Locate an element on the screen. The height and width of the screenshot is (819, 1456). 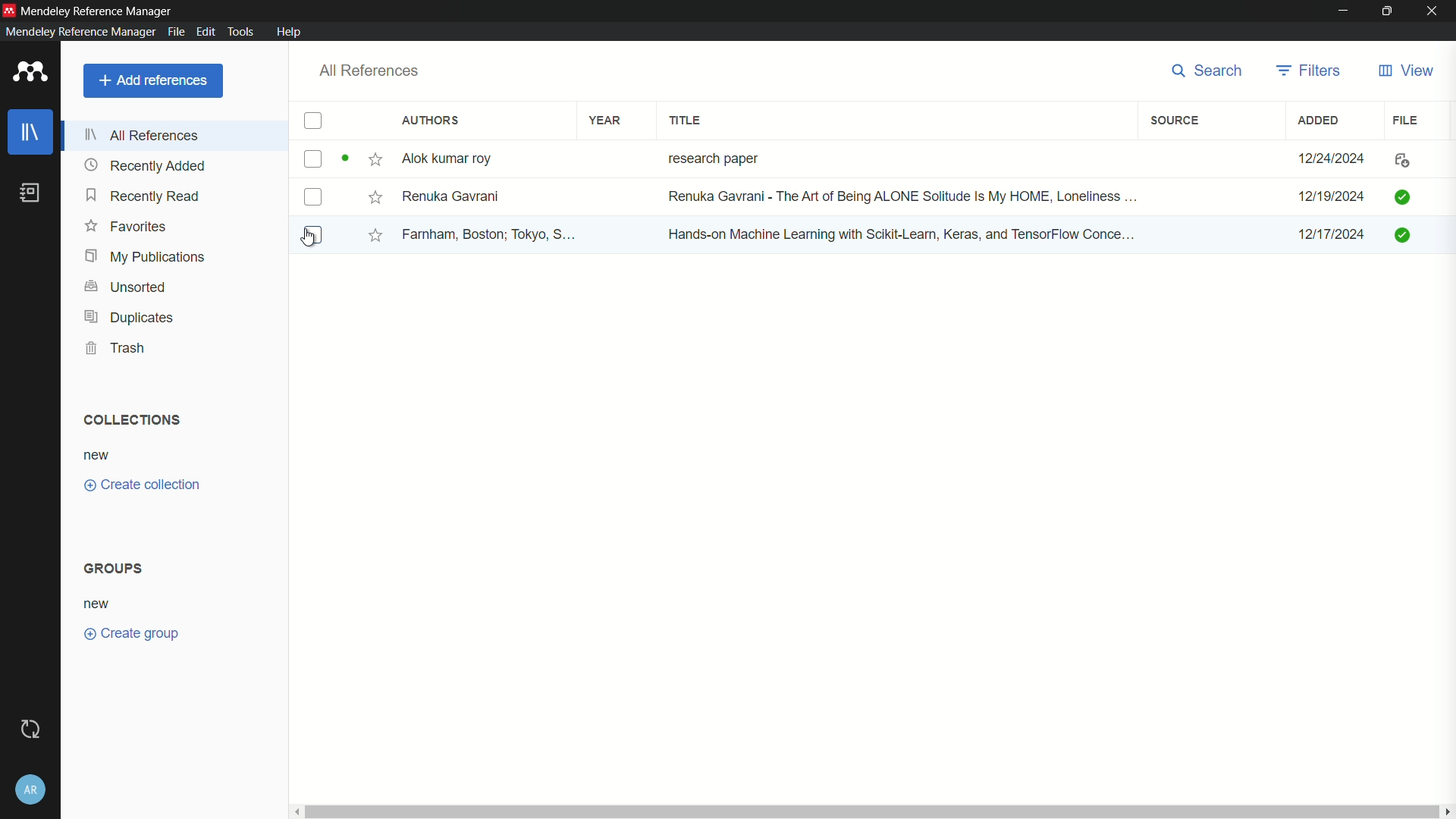
Mendeley Reference Manager is located at coordinates (99, 11).